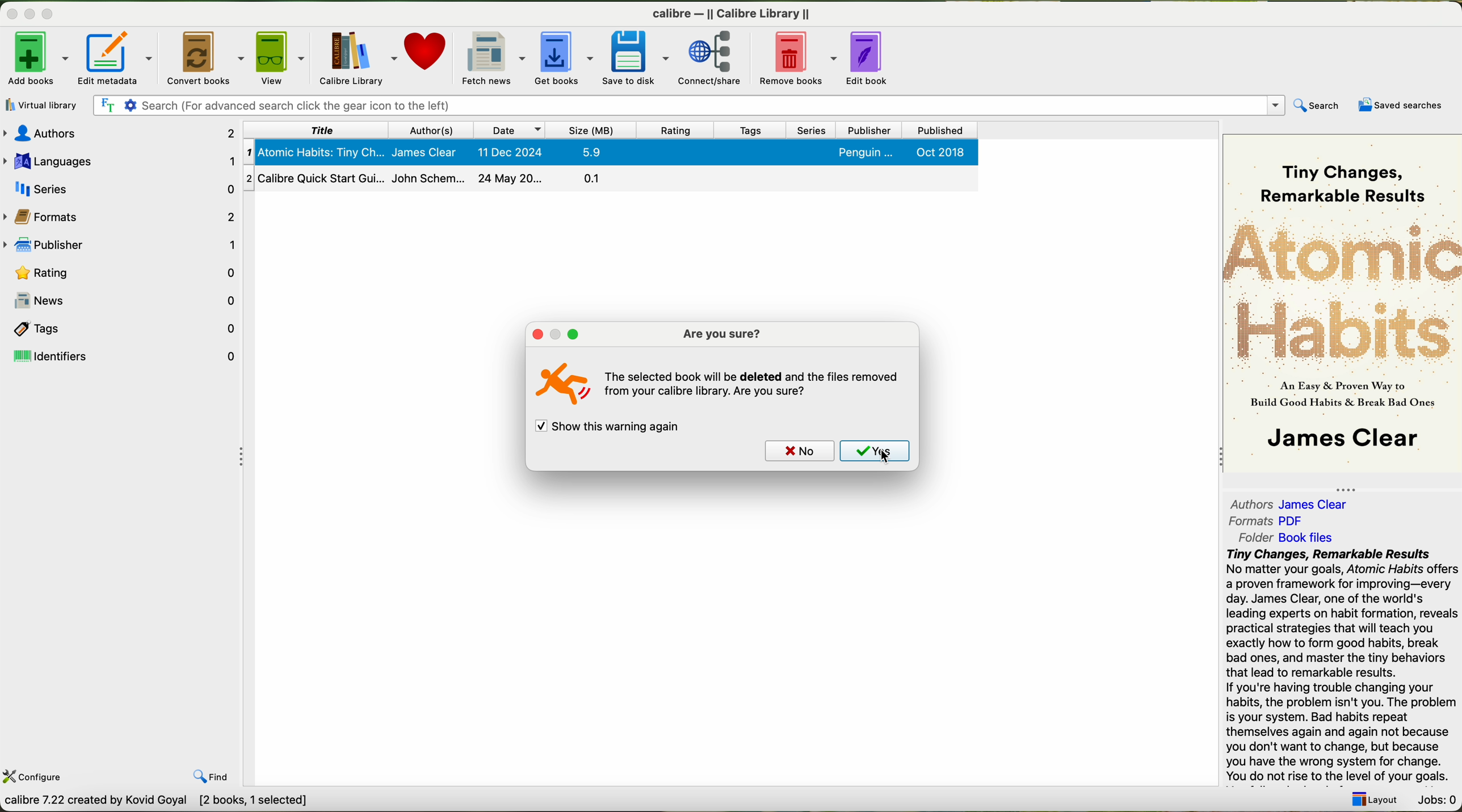 This screenshot has height=812, width=1462. I want to click on formats, so click(1267, 520).